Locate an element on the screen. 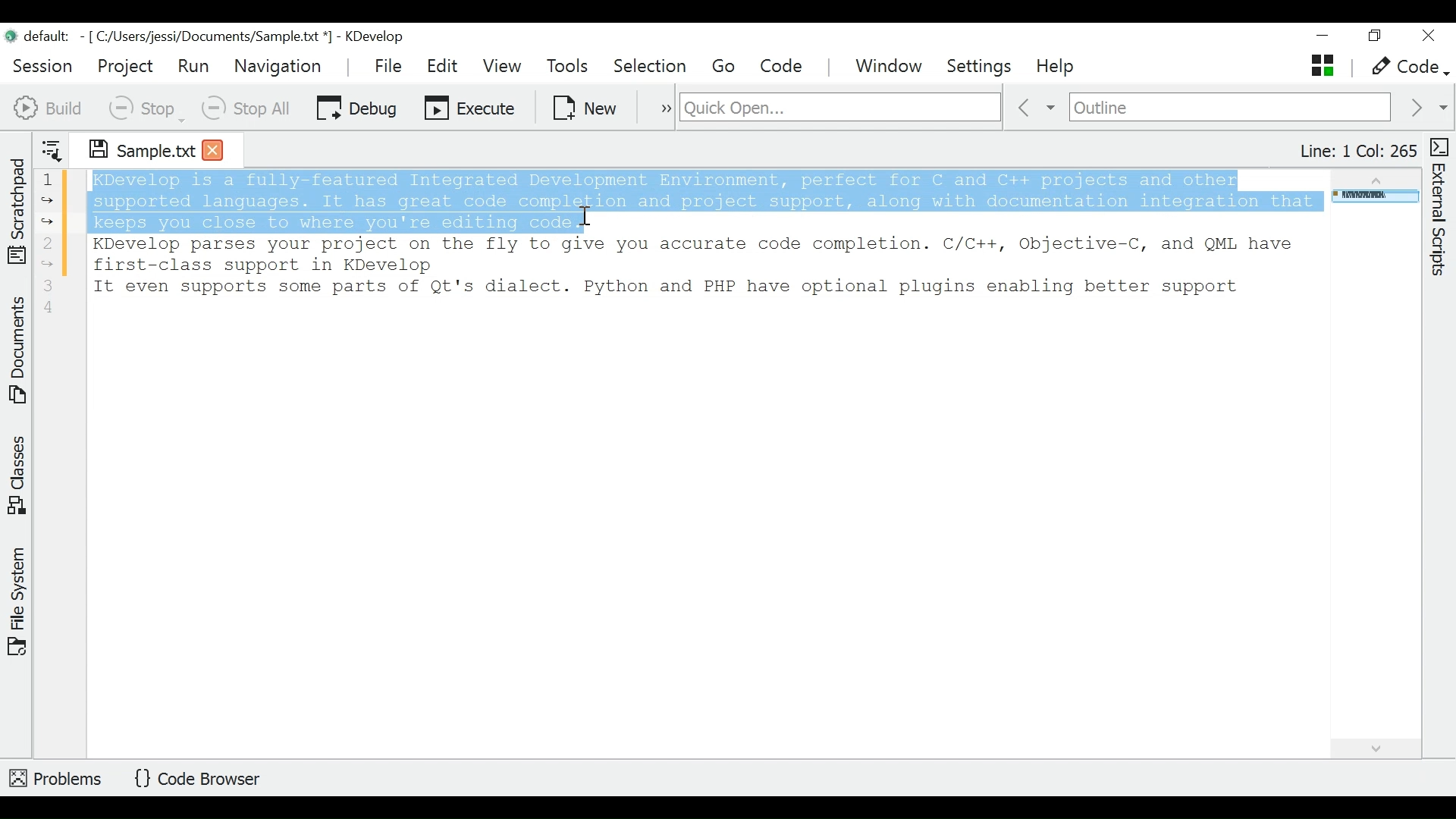 The width and height of the screenshot is (1456, 819). Navigation is located at coordinates (281, 66).